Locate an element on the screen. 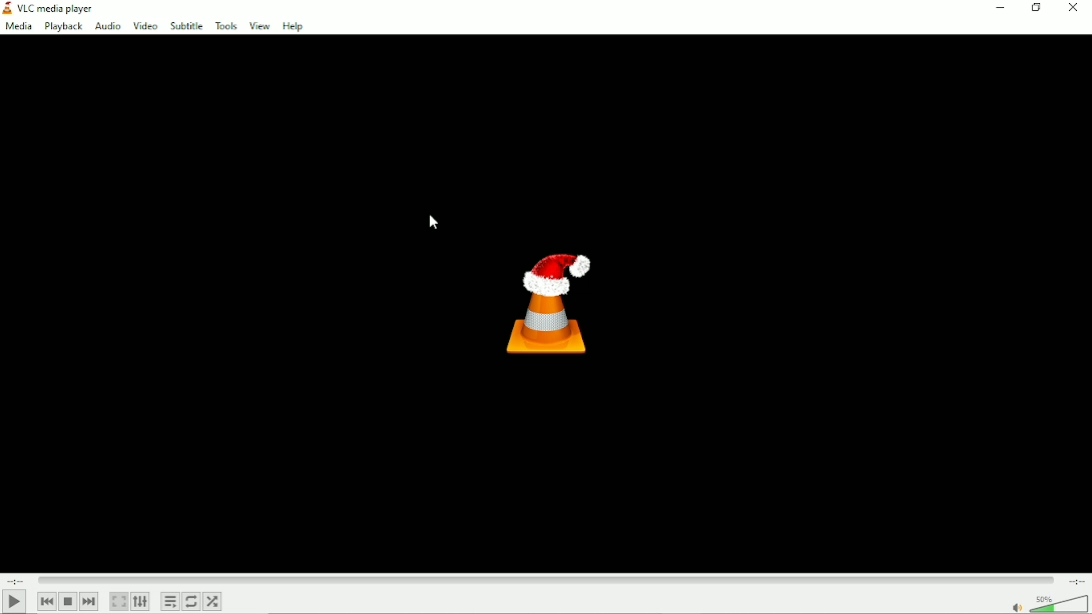  Play duration is located at coordinates (544, 578).